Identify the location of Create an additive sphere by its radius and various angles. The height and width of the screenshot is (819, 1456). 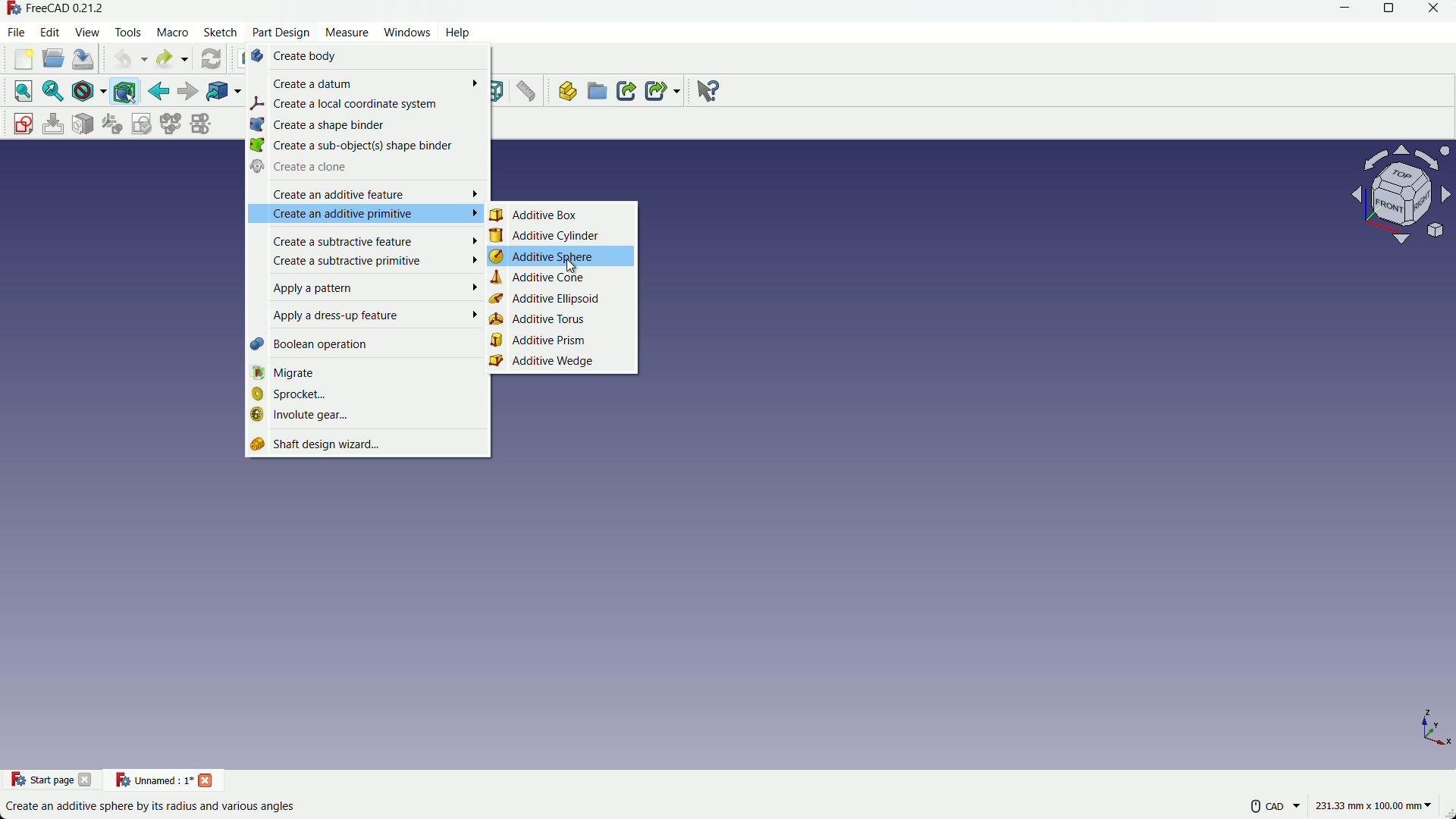
(155, 807).